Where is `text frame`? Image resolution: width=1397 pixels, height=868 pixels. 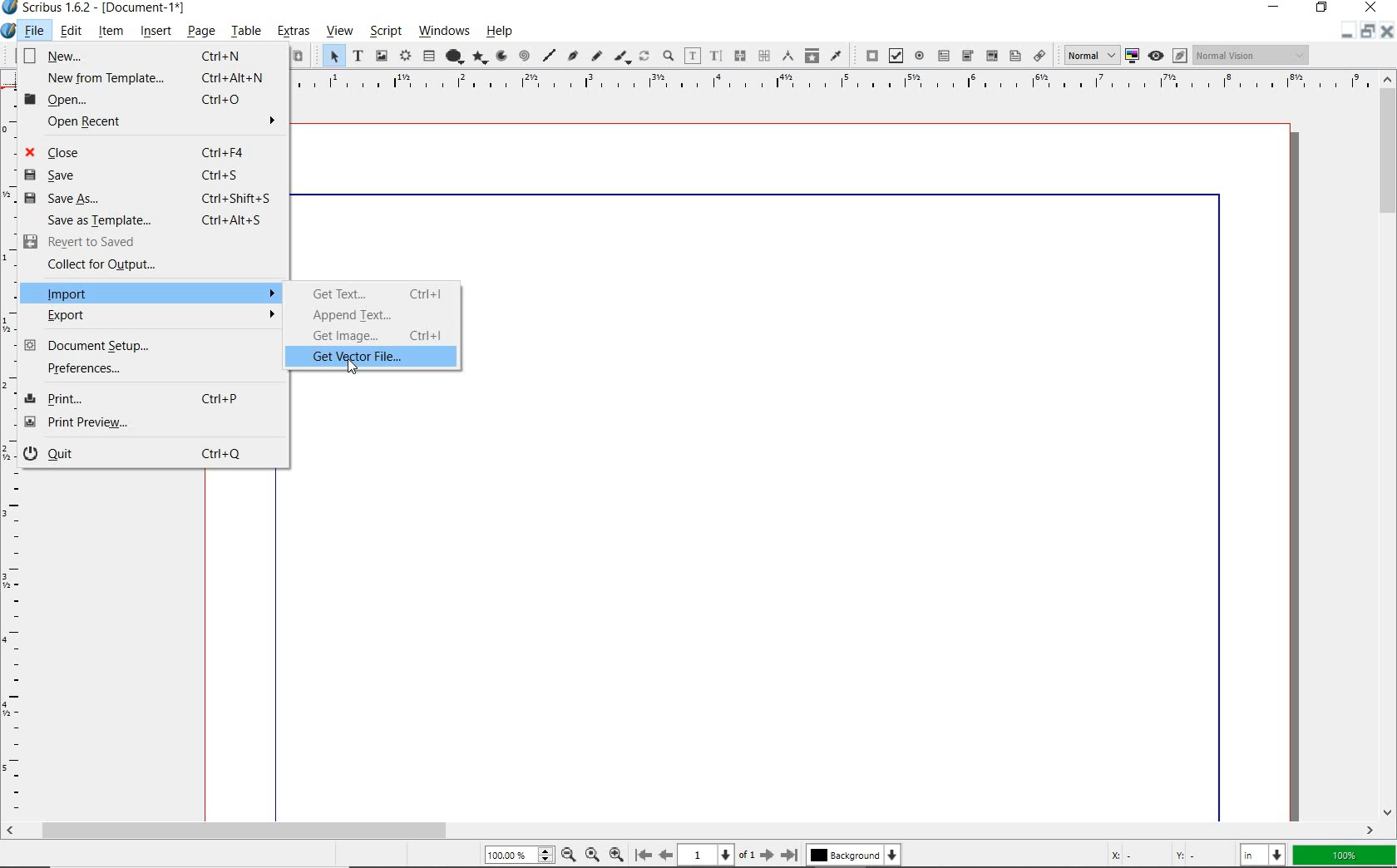 text frame is located at coordinates (358, 55).